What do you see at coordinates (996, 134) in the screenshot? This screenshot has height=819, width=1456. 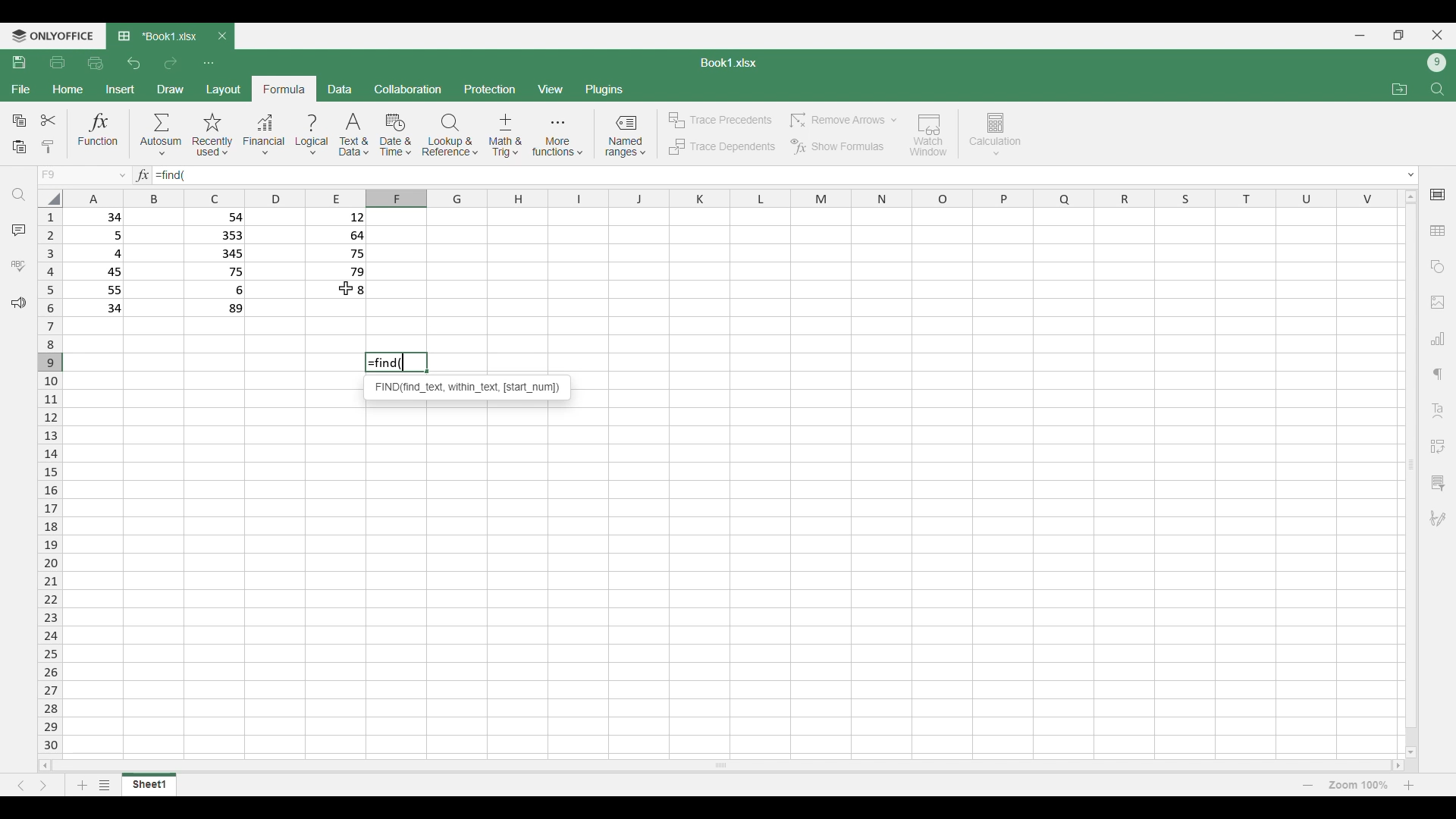 I see `Calculation options` at bounding box center [996, 134].